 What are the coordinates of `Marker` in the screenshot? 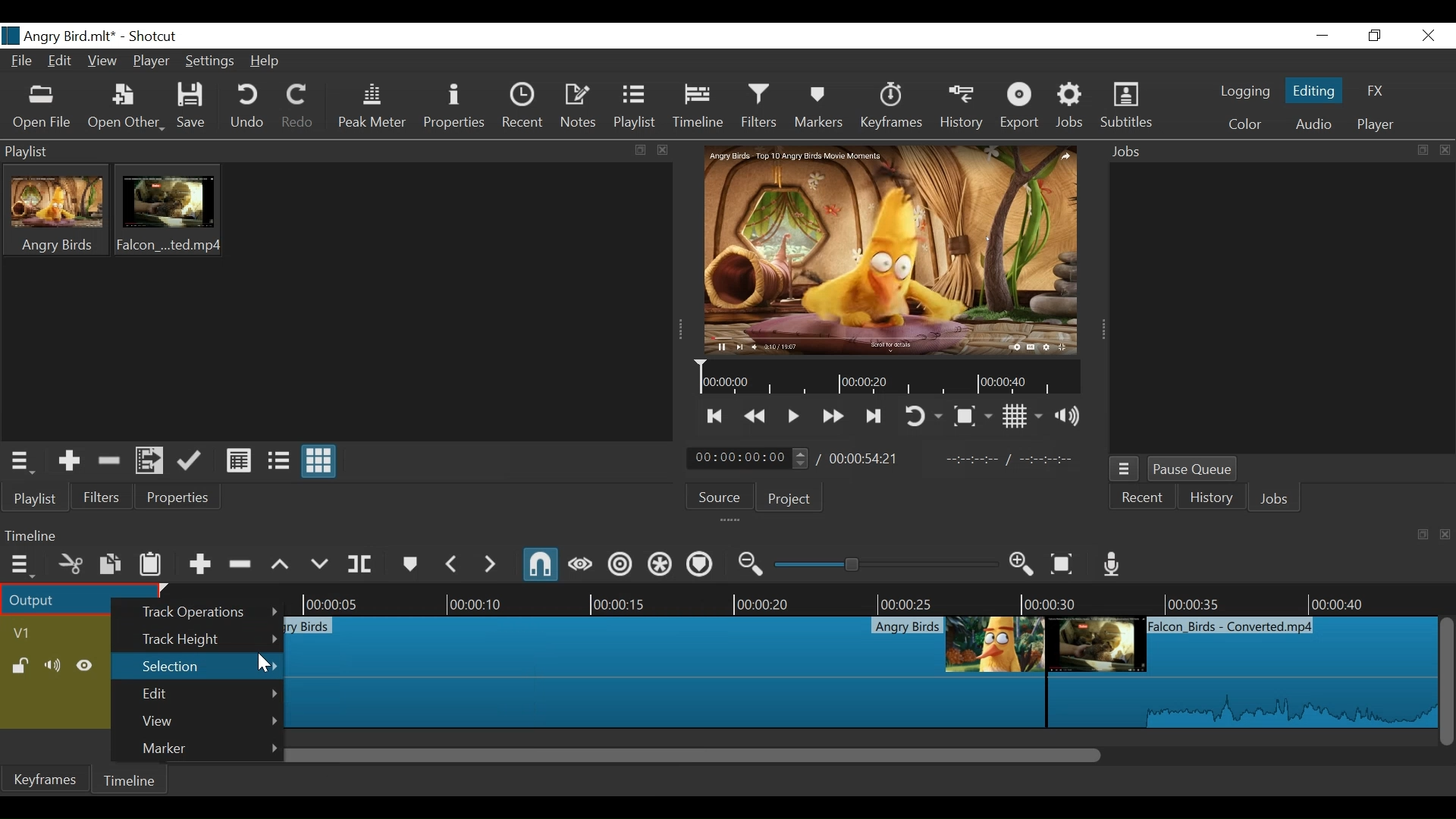 It's located at (207, 748).